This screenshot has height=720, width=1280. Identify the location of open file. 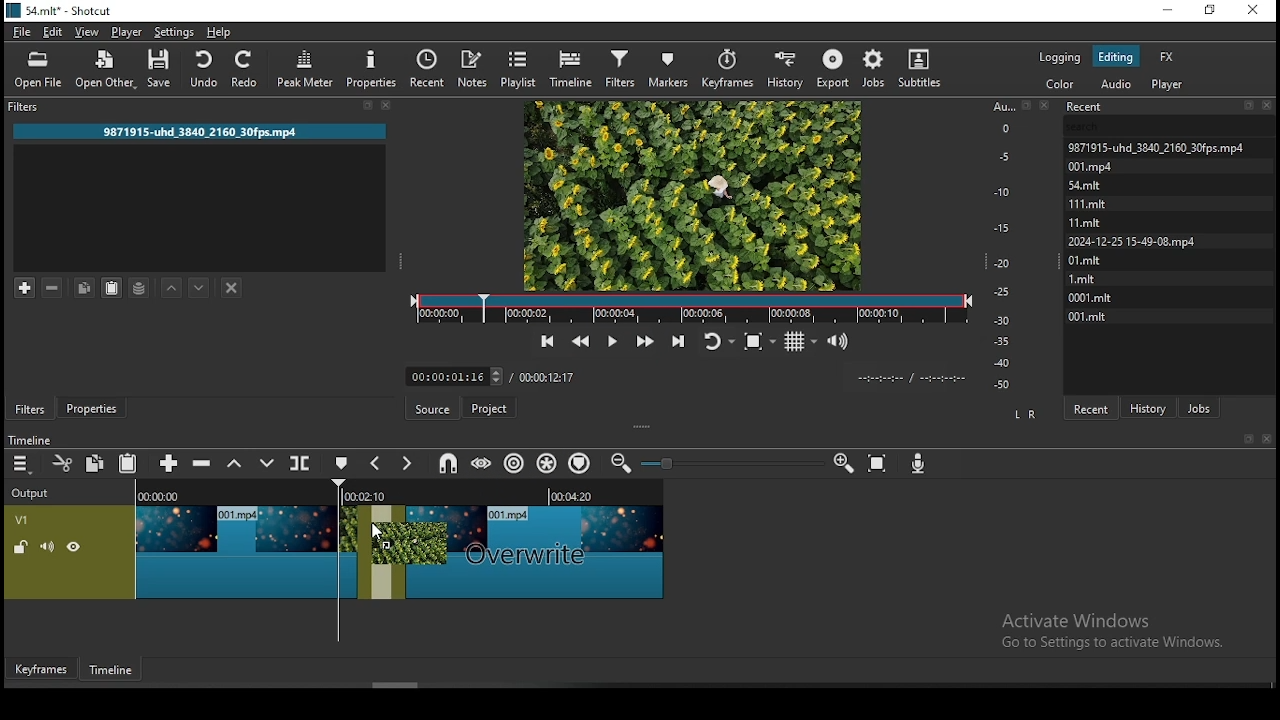
(39, 70).